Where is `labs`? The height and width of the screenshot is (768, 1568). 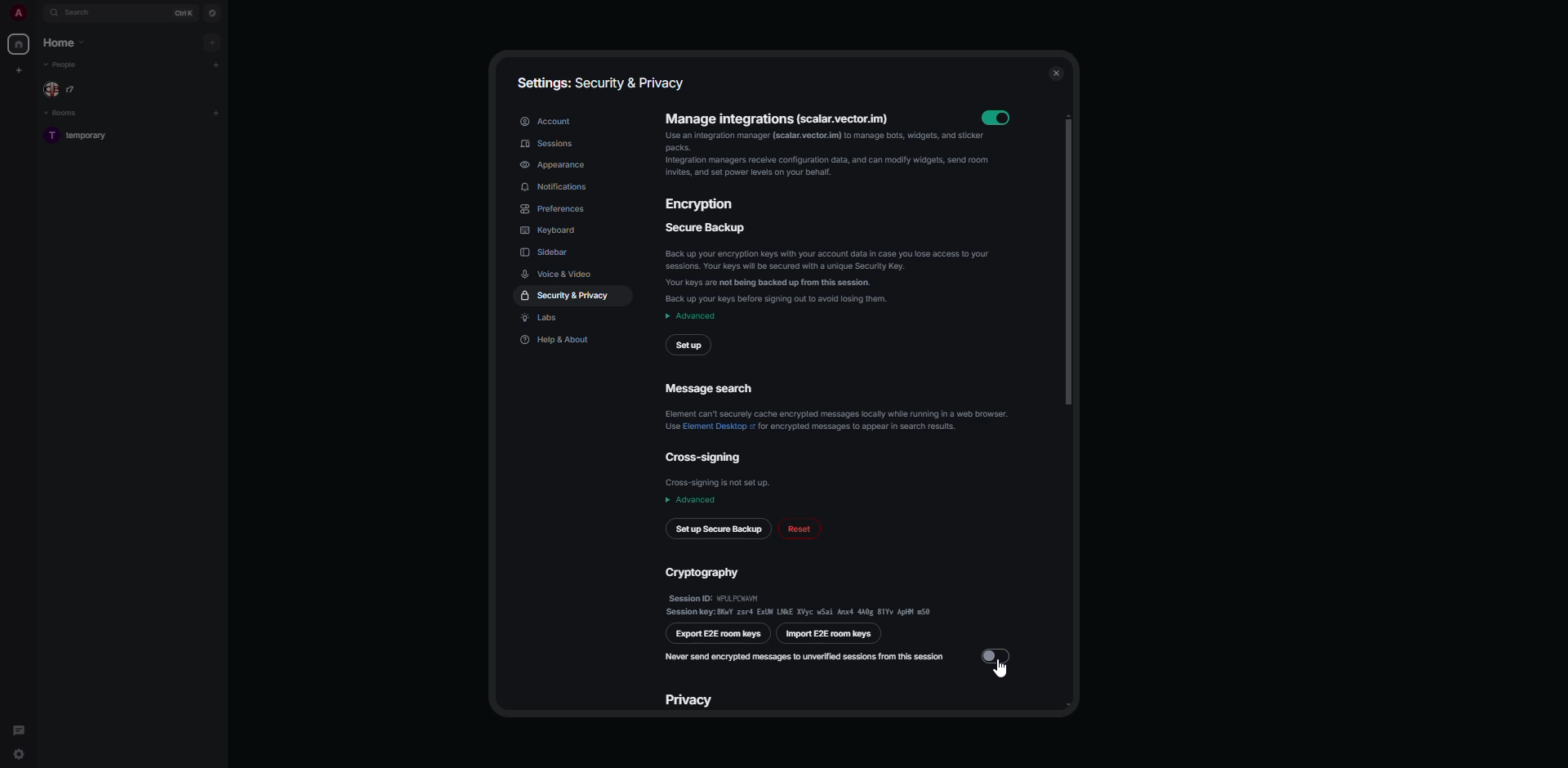
labs is located at coordinates (547, 319).